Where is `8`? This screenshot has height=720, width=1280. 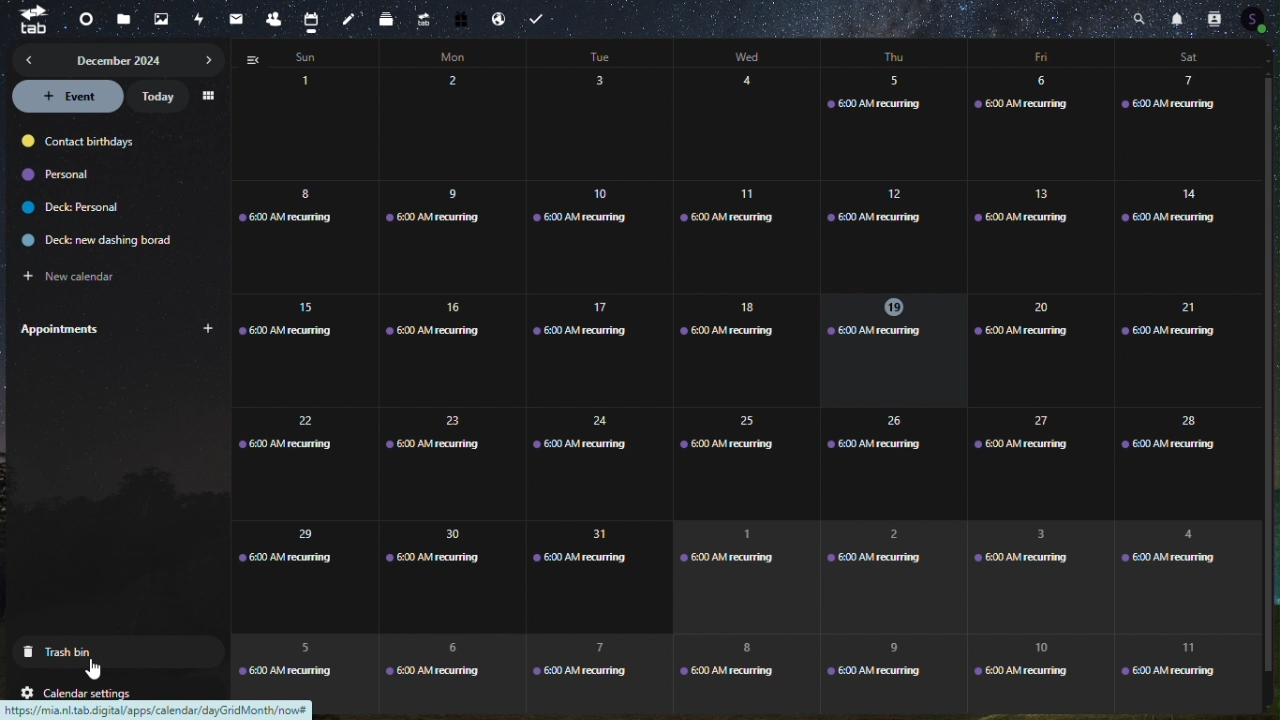 8 is located at coordinates (732, 674).